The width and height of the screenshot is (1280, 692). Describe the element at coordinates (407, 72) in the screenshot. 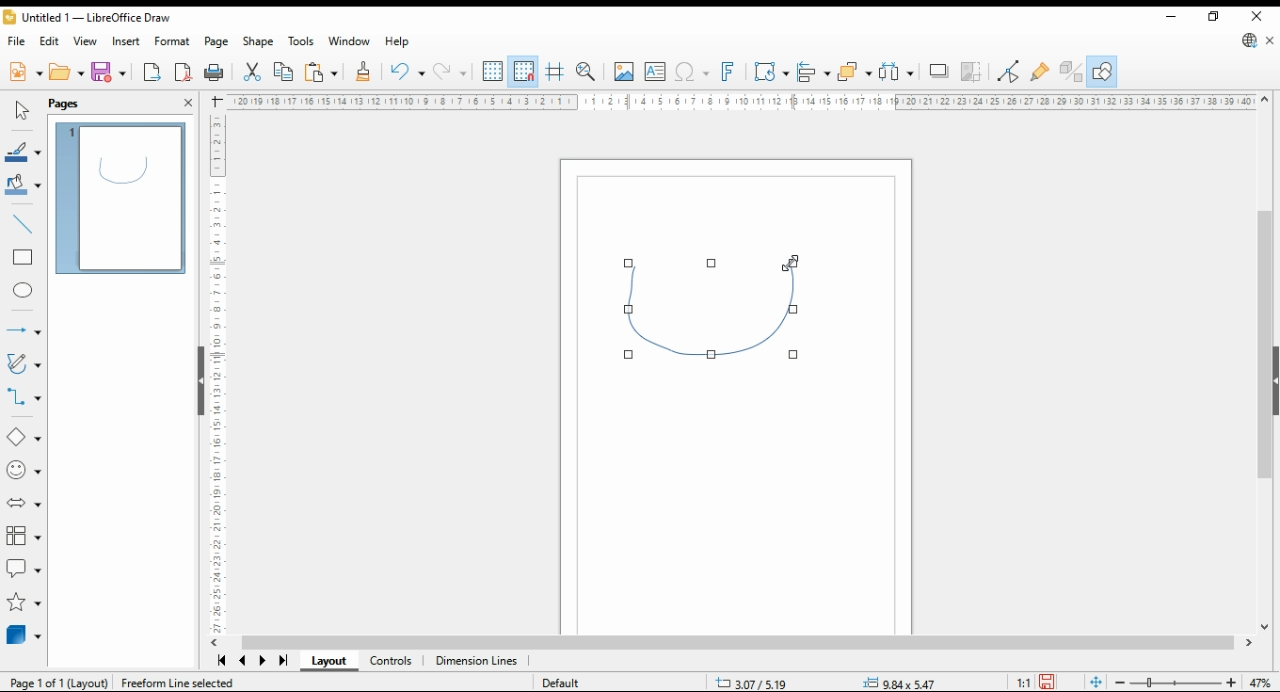

I see `undo` at that location.